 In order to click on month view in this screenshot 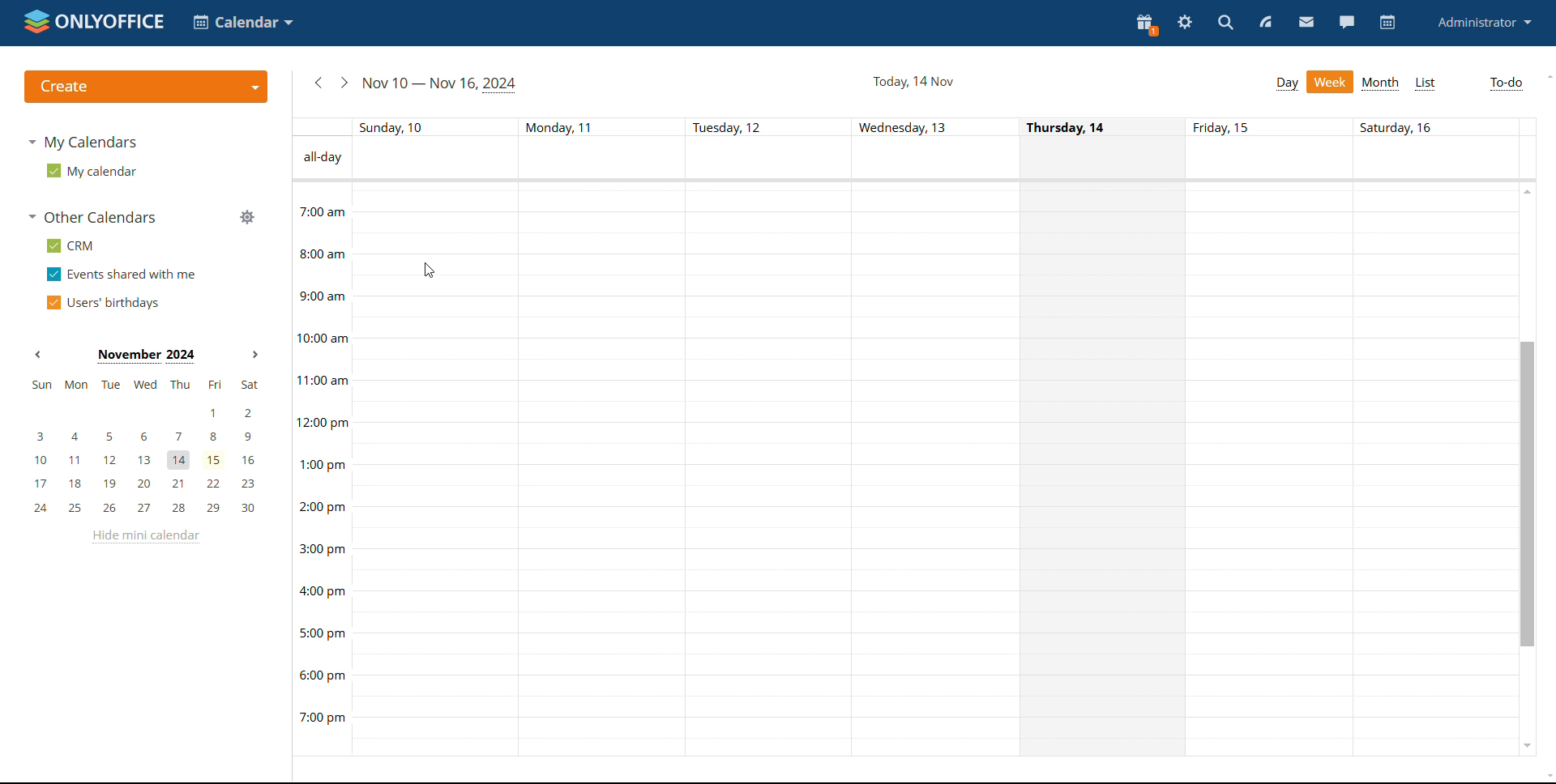, I will do `click(1381, 84)`.